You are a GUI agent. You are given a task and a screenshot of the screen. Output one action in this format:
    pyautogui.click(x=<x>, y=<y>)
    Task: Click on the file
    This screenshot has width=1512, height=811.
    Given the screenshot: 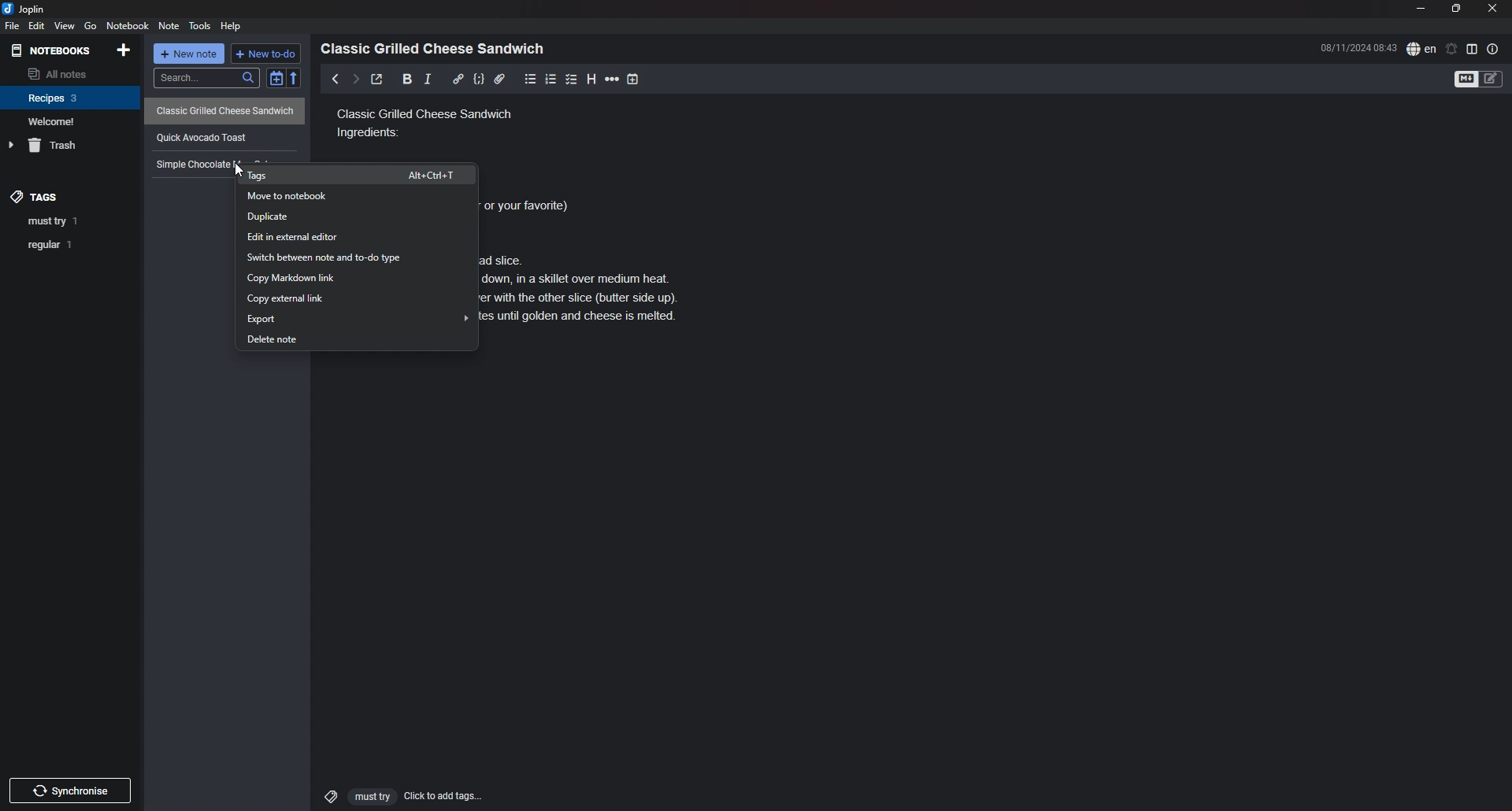 What is the action you would take?
    pyautogui.click(x=11, y=27)
    